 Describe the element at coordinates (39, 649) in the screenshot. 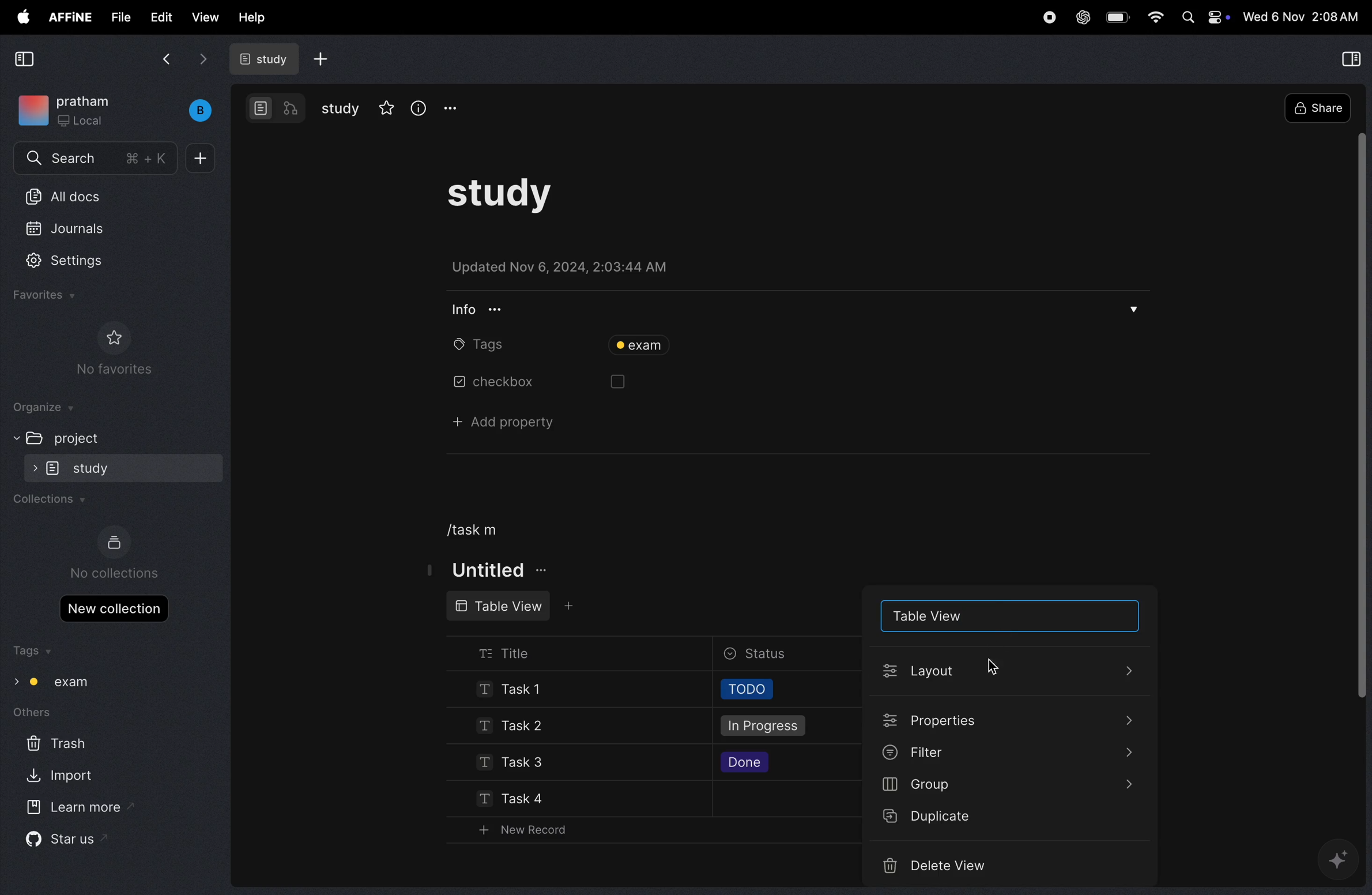

I see `tags` at that location.